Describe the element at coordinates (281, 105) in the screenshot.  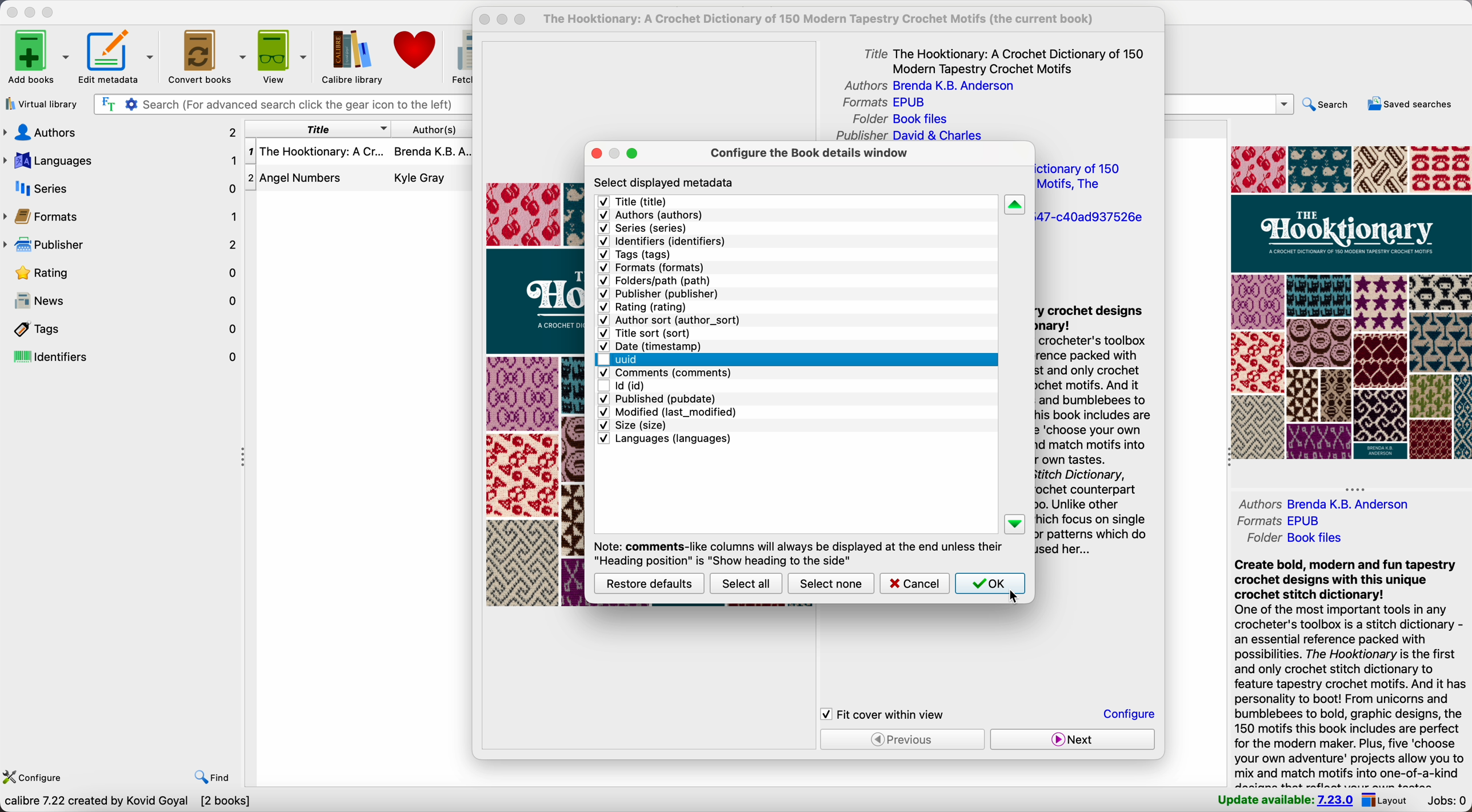
I see `search bar` at that location.